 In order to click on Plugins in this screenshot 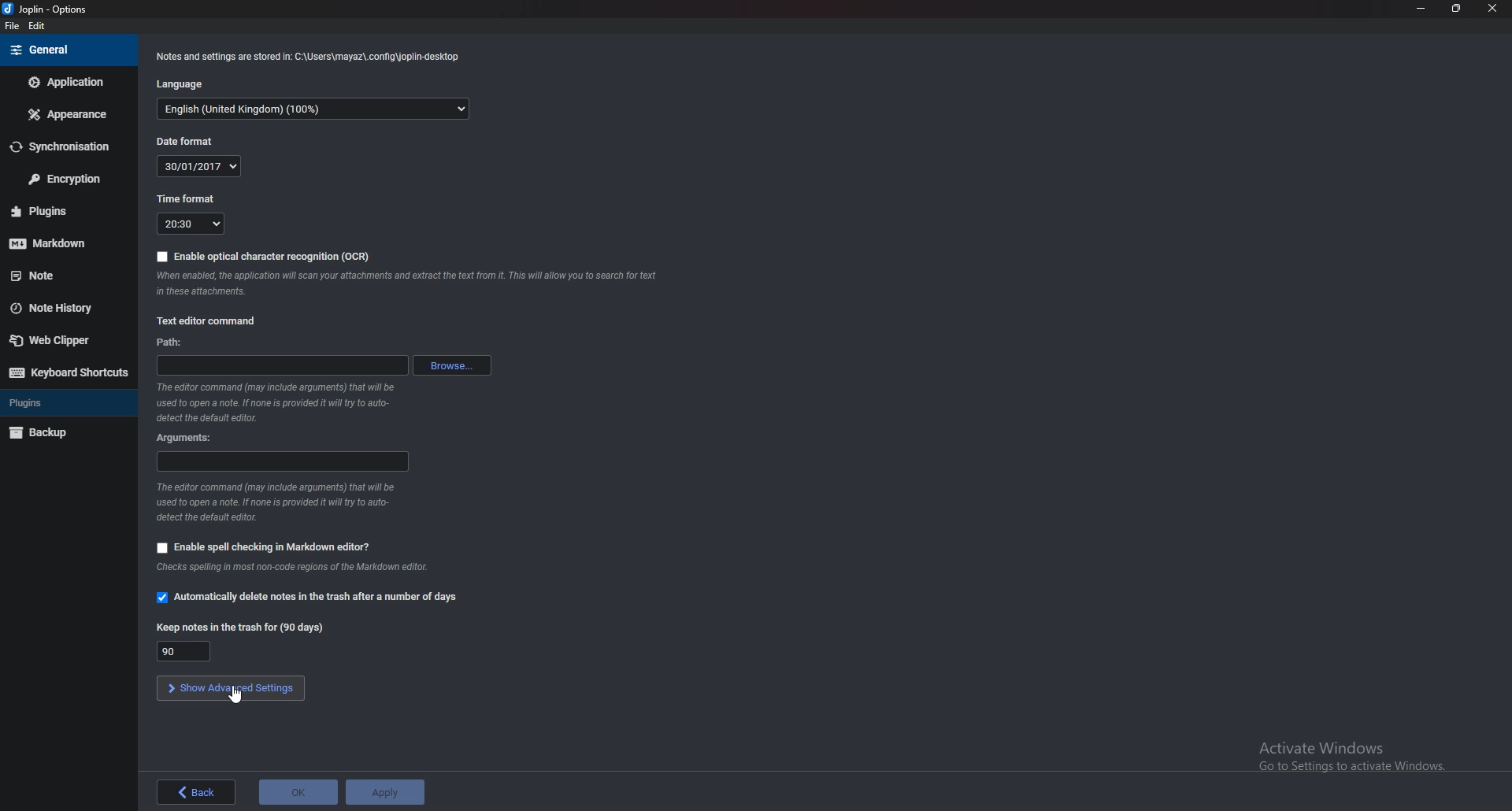, I will do `click(64, 210)`.